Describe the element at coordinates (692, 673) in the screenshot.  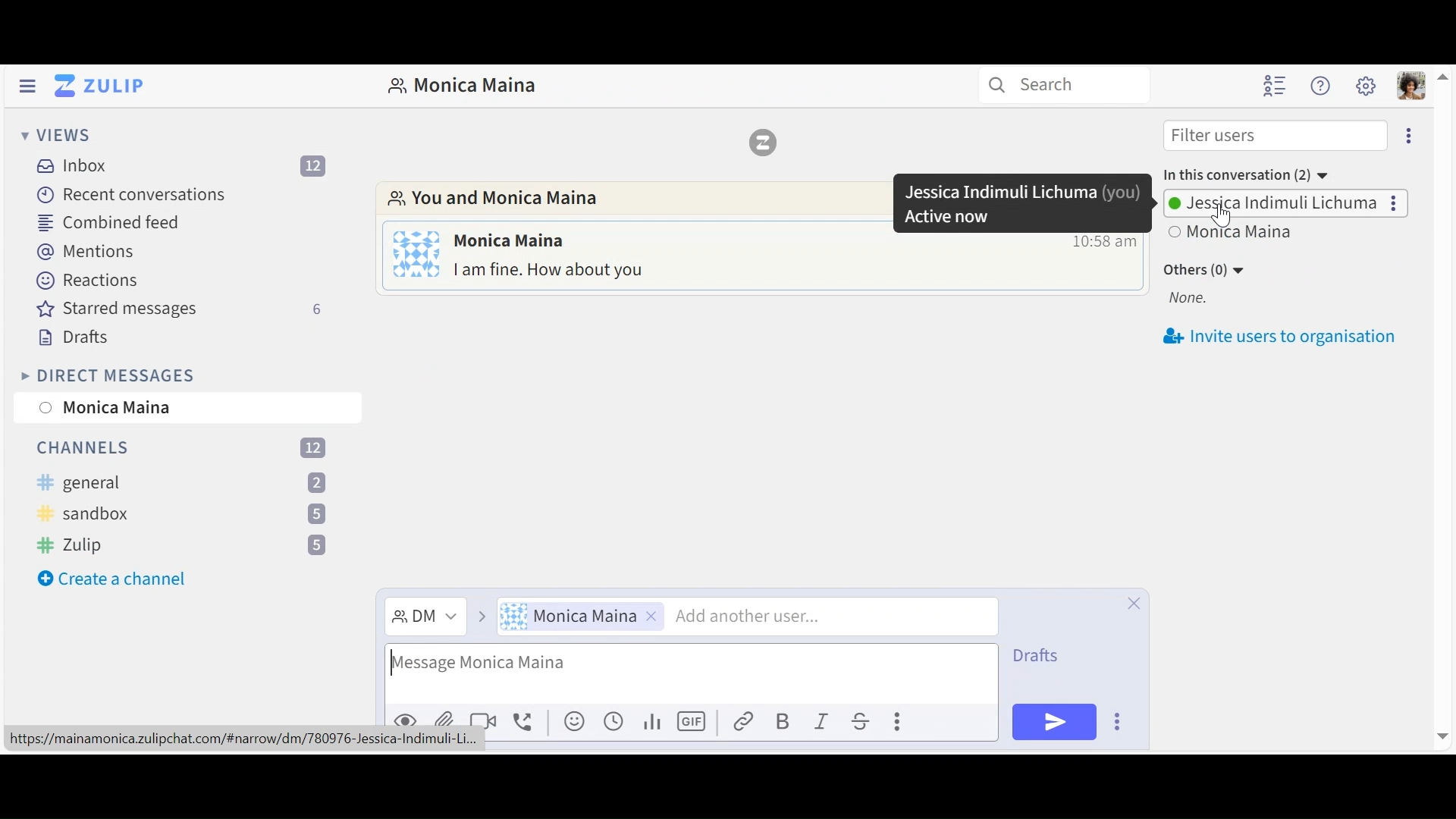
I see `Compose message` at that location.